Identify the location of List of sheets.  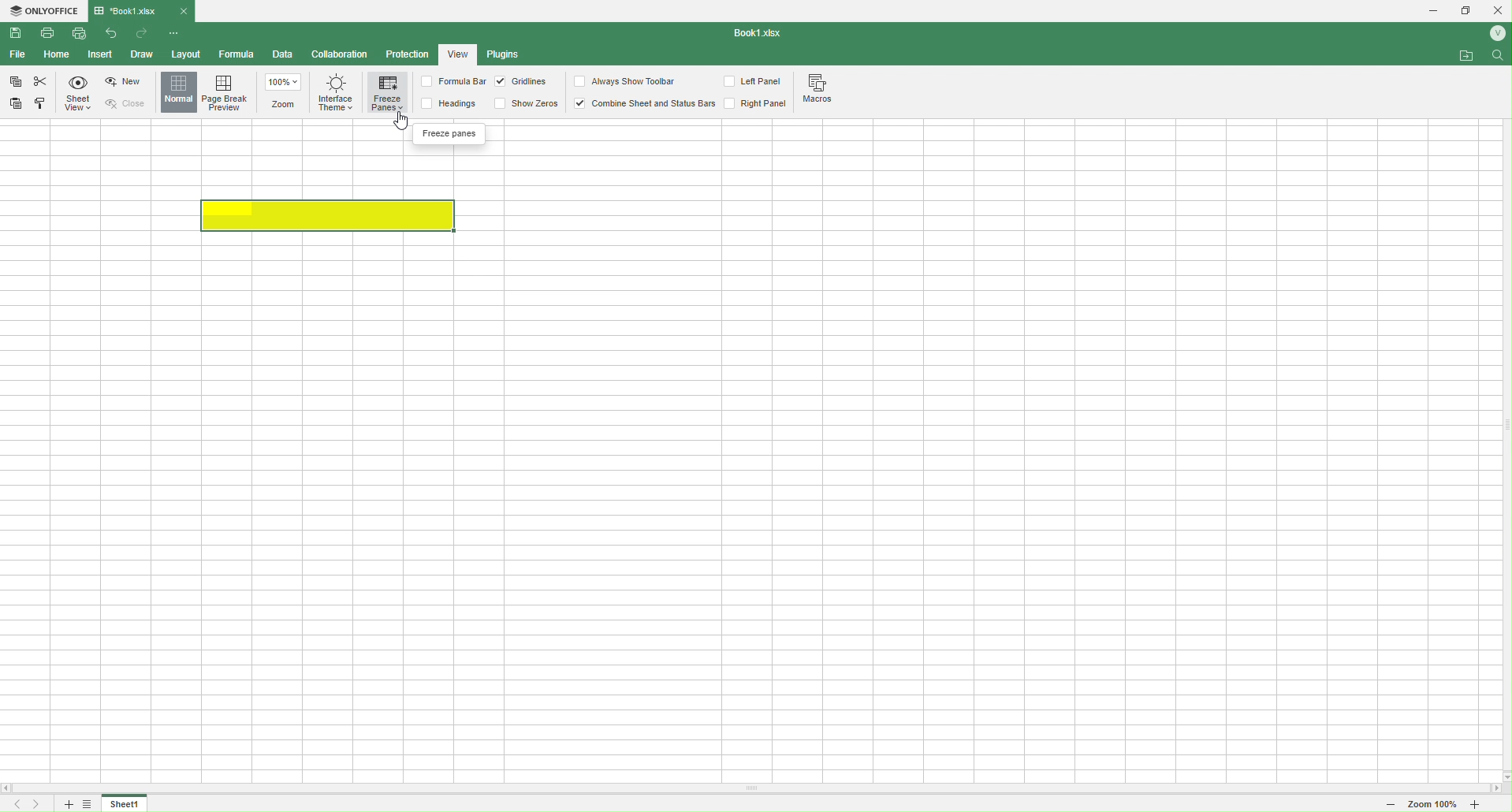
(91, 804).